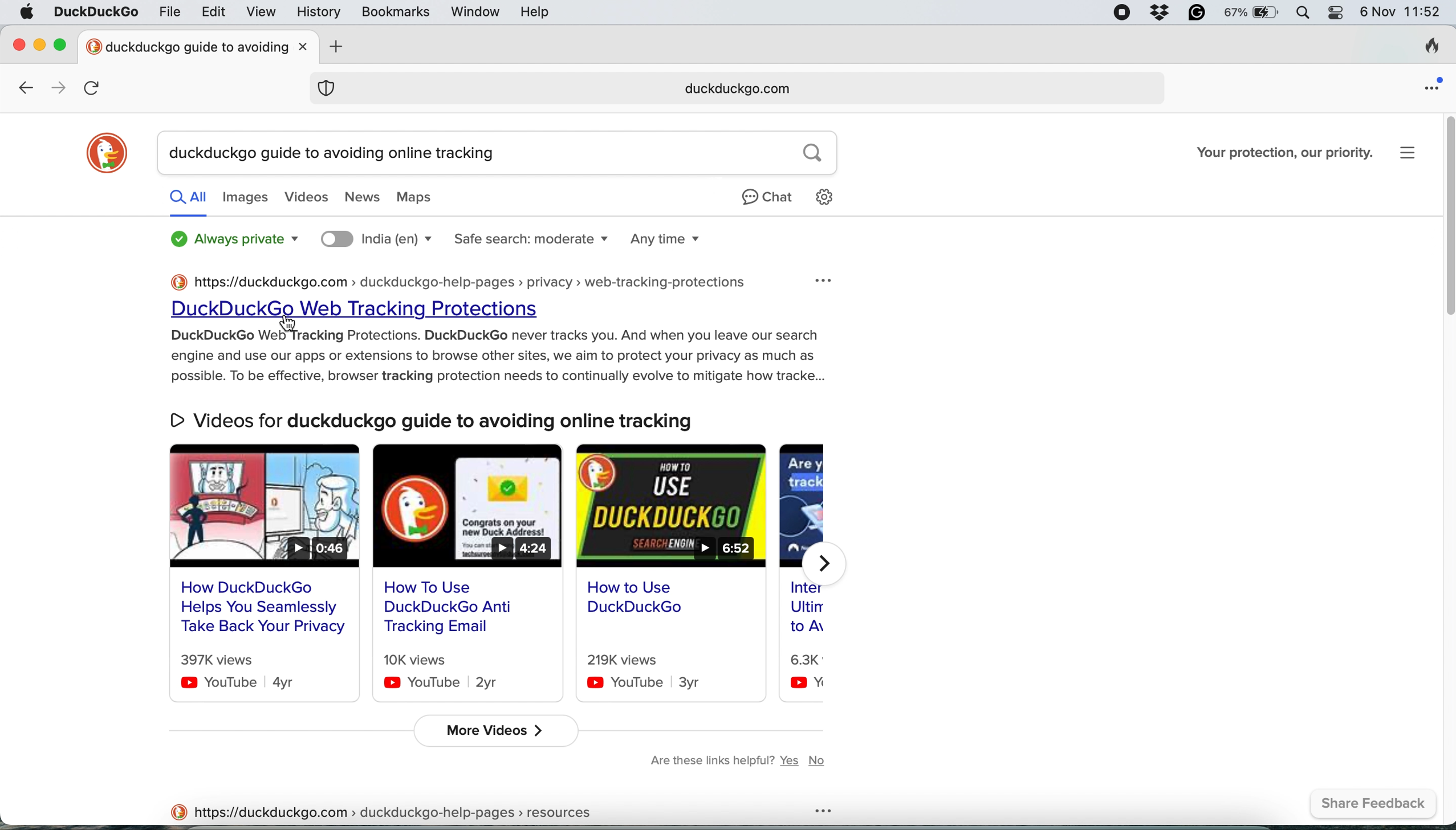 This screenshot has height=830, width=1456. I want to click on youtube, so click(261, 681).